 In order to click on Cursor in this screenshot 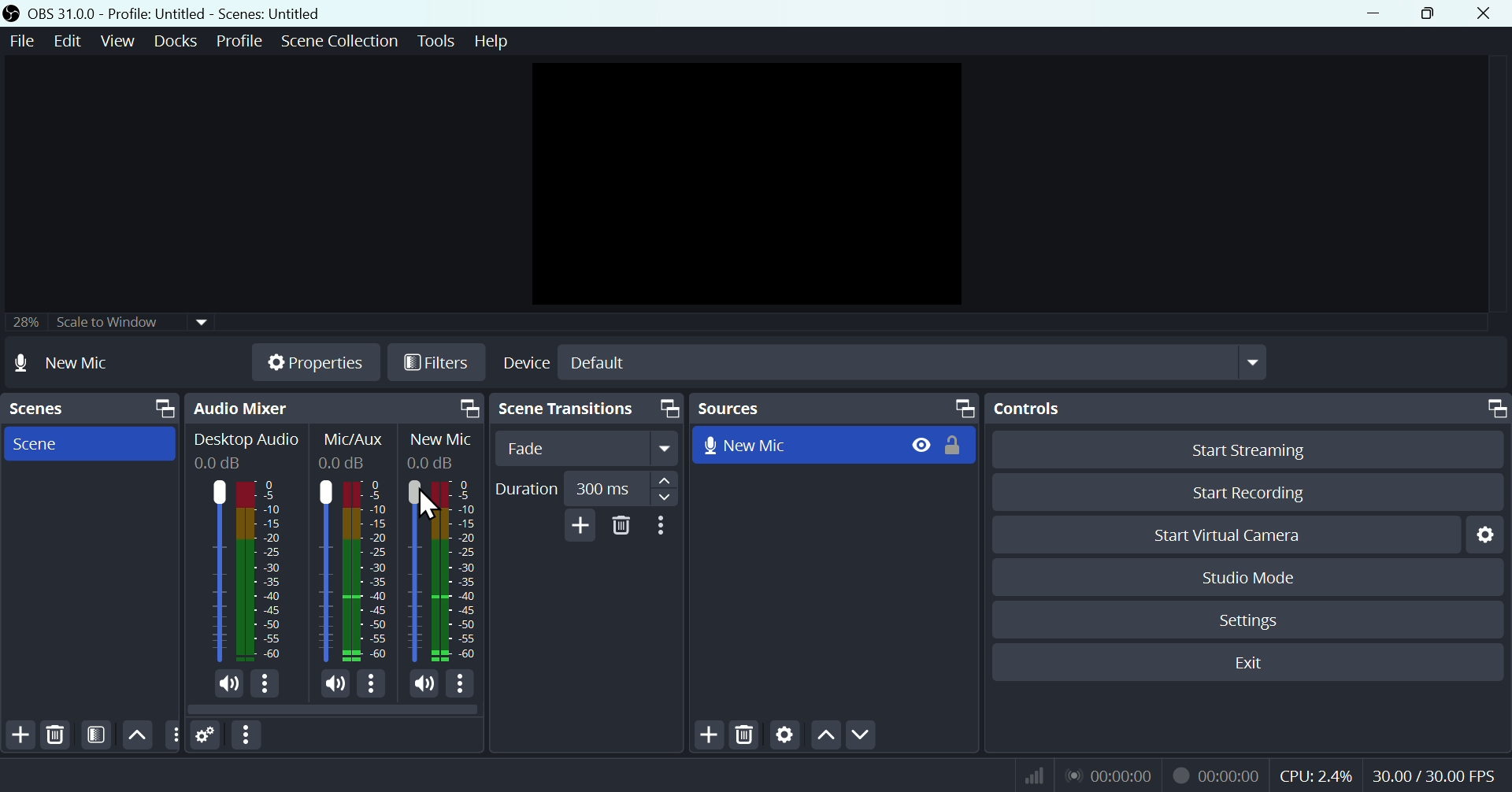, I will do `click(431, 505)`.